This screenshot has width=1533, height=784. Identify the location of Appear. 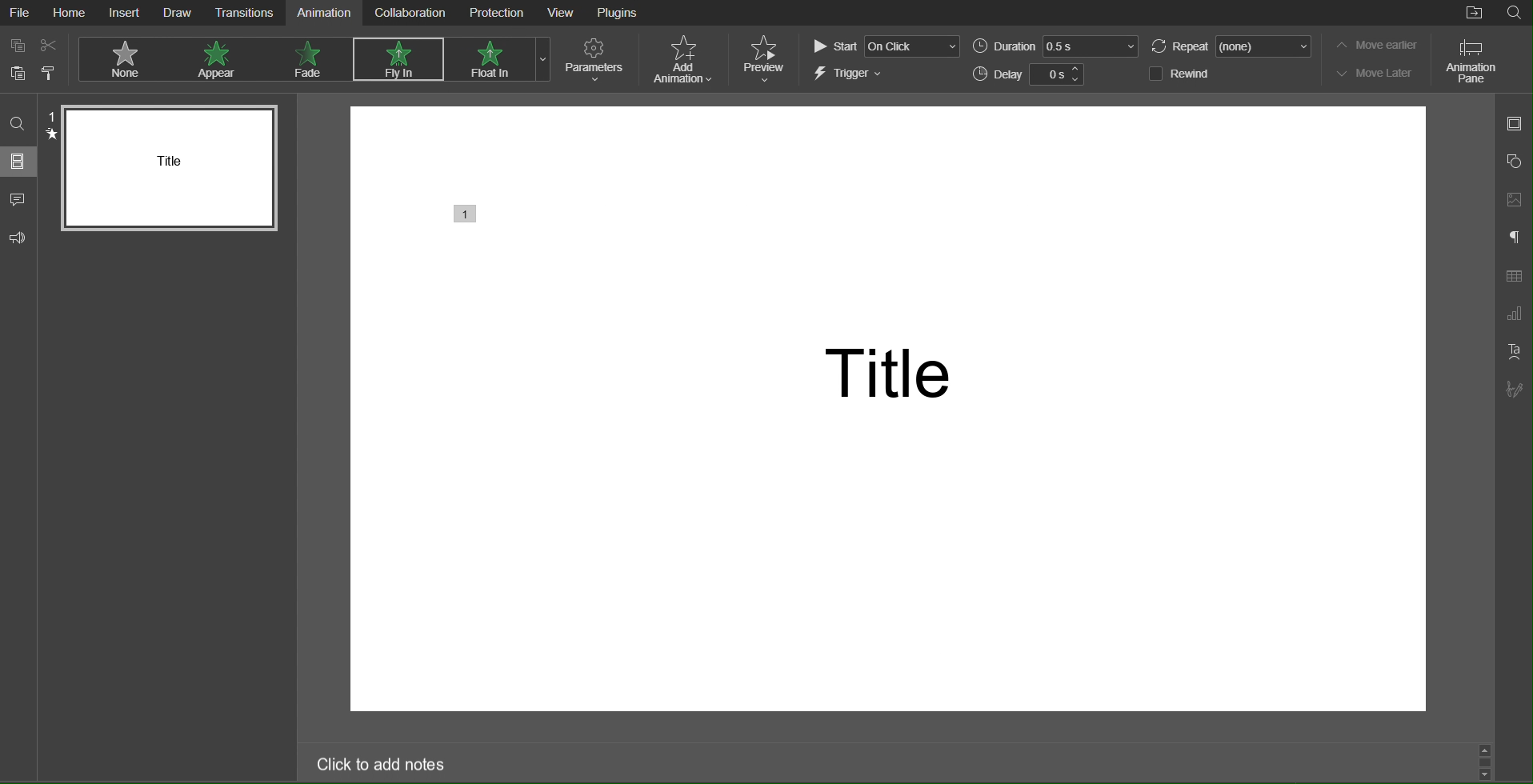
(219, 59).